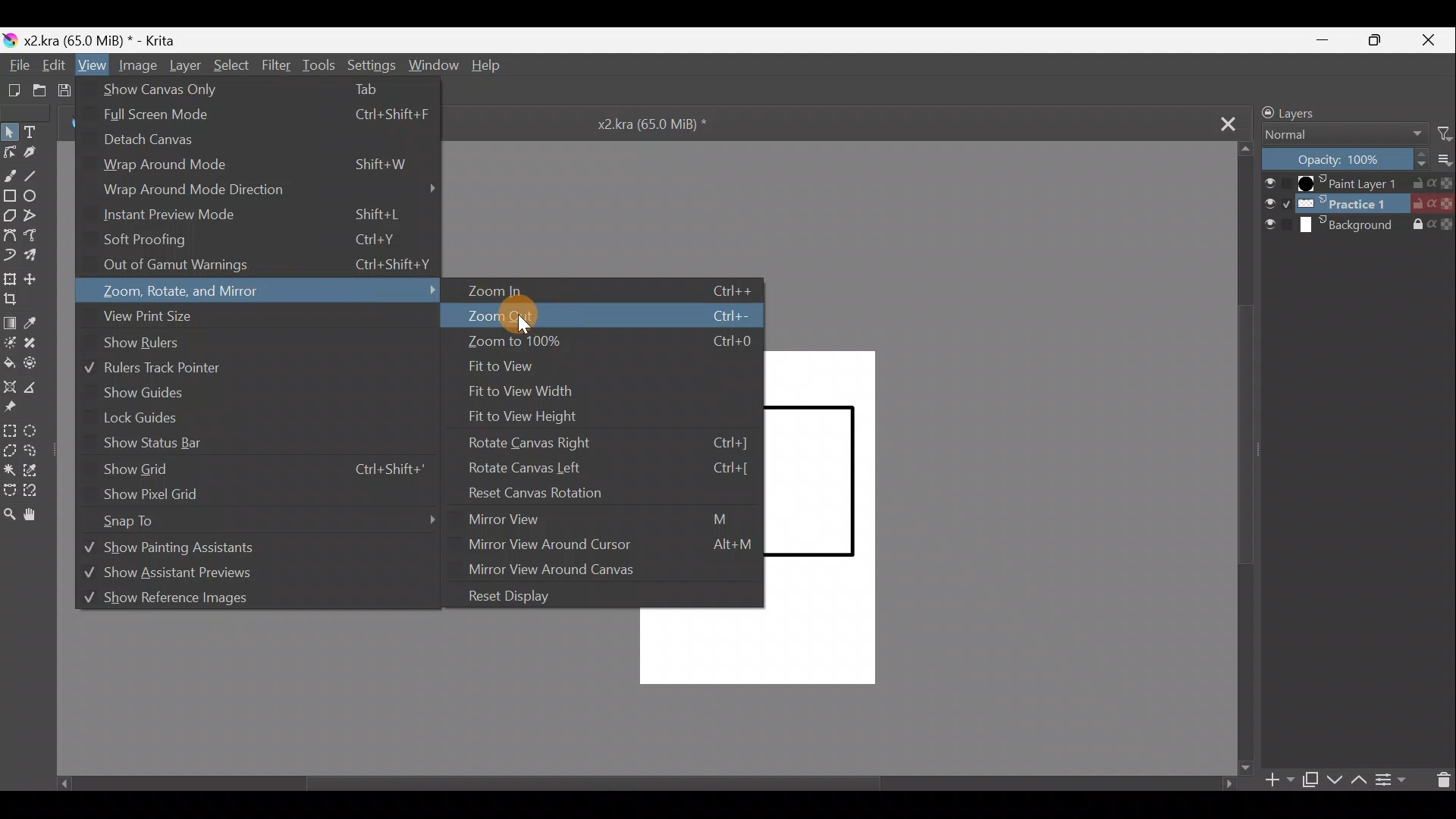 The height and width of the screenshot is (819, 1456). What do you see at coordinates (39, 453) in the screenshot?
I see `Freehand selection tool` at bounding box center [39, 453].